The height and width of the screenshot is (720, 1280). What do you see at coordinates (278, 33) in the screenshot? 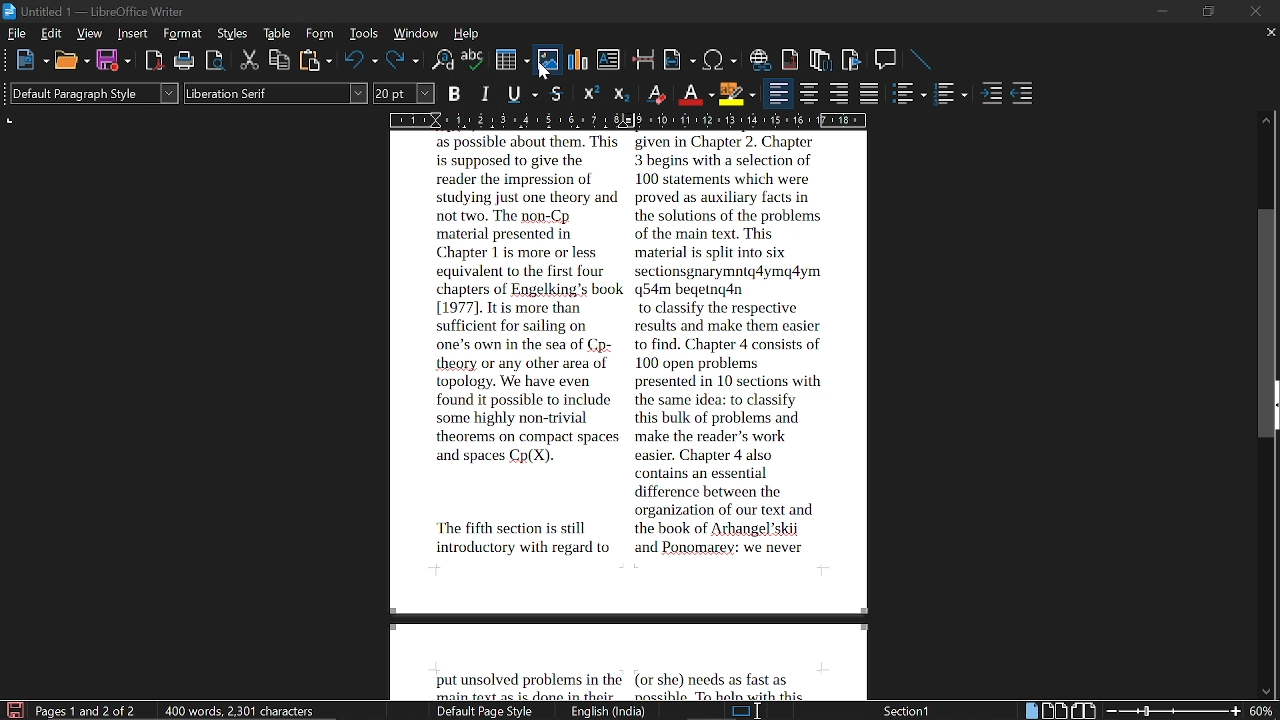
I see `table` at bounding box center [278, 33].